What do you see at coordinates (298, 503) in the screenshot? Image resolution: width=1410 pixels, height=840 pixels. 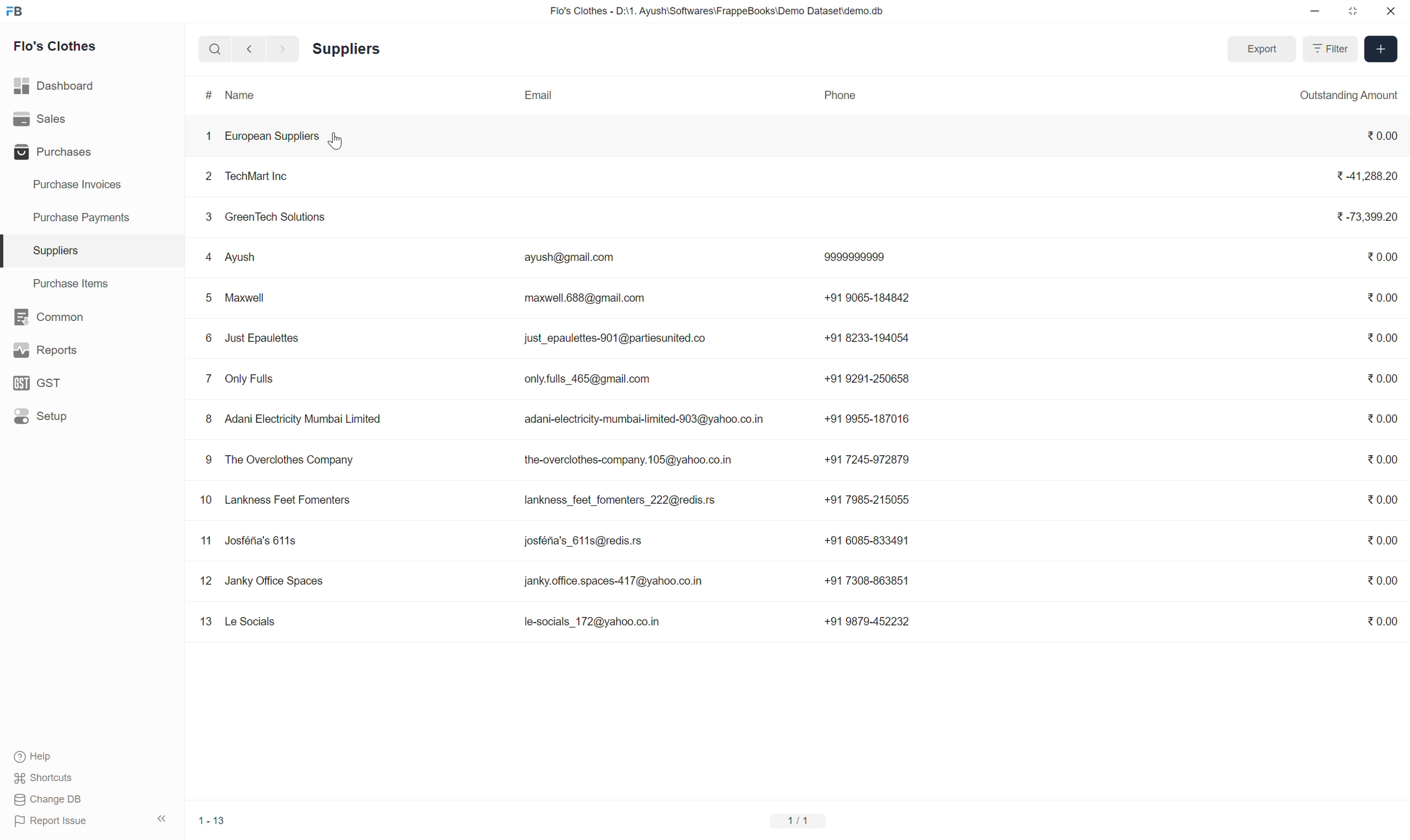 I see `Lankness Feet Fomenters` at bounding box center [298, 503].